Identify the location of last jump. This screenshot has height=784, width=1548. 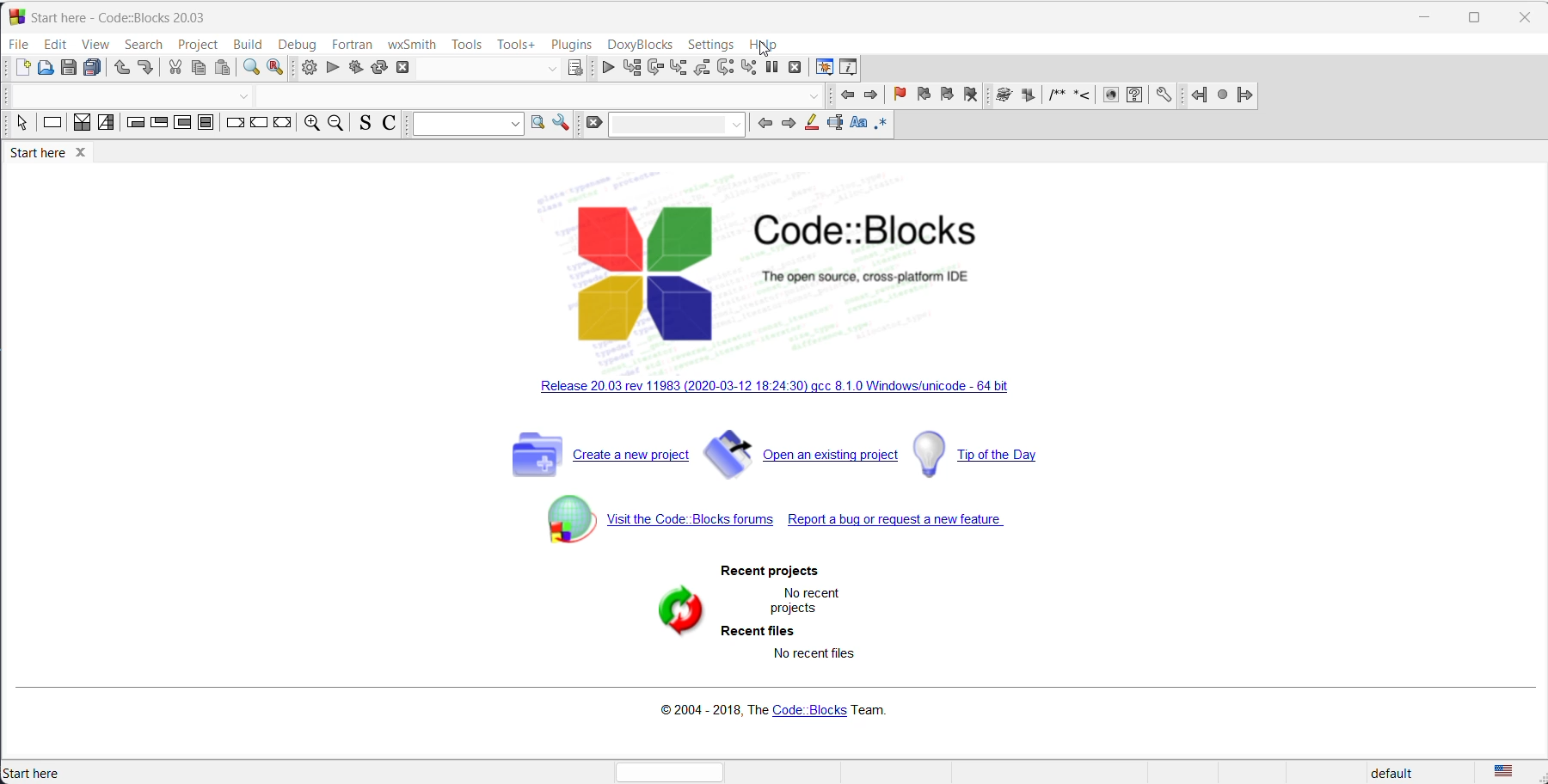
(1222, 97).